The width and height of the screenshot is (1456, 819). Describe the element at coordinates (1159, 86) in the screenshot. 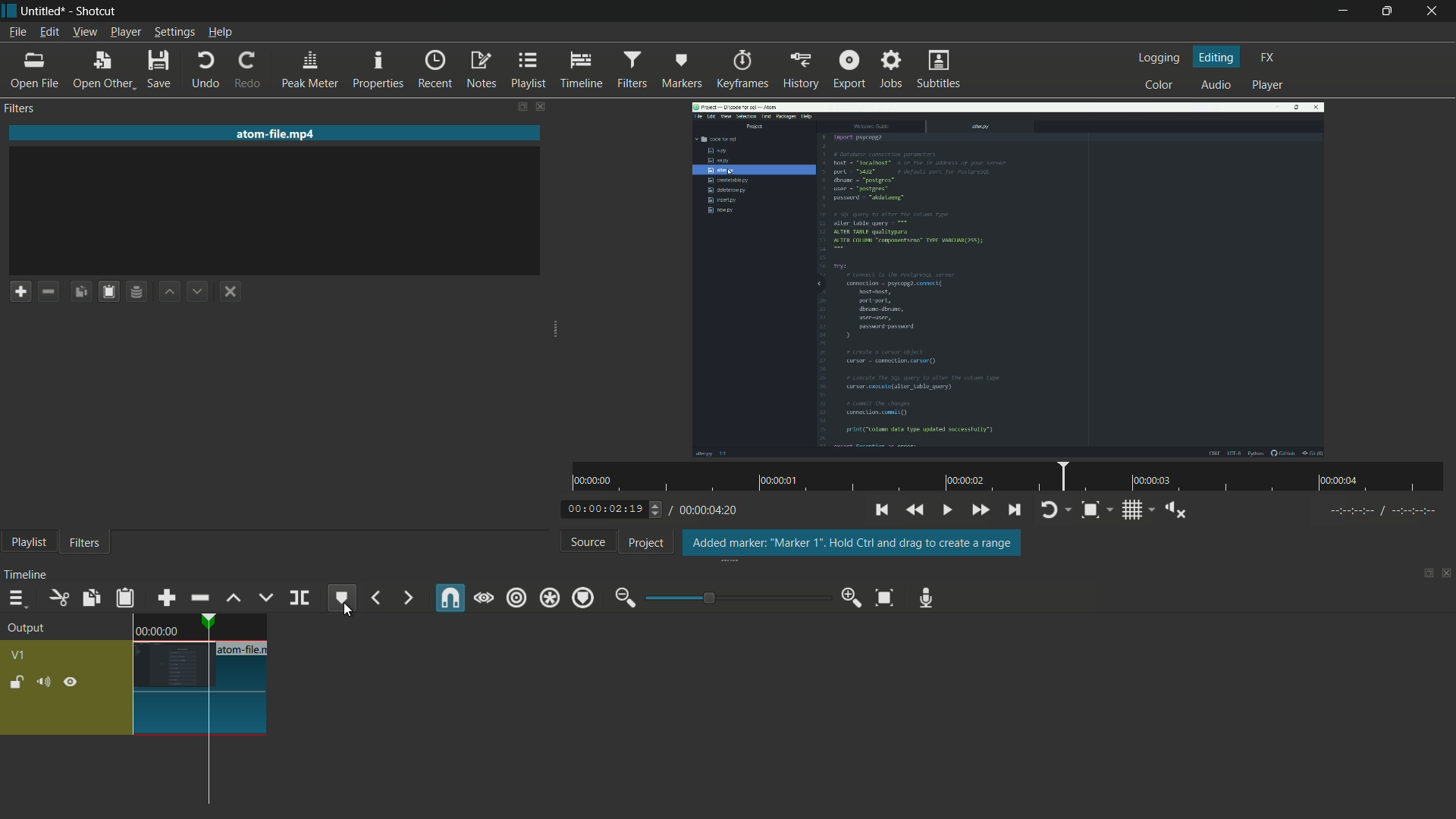

I see `color` at that location.